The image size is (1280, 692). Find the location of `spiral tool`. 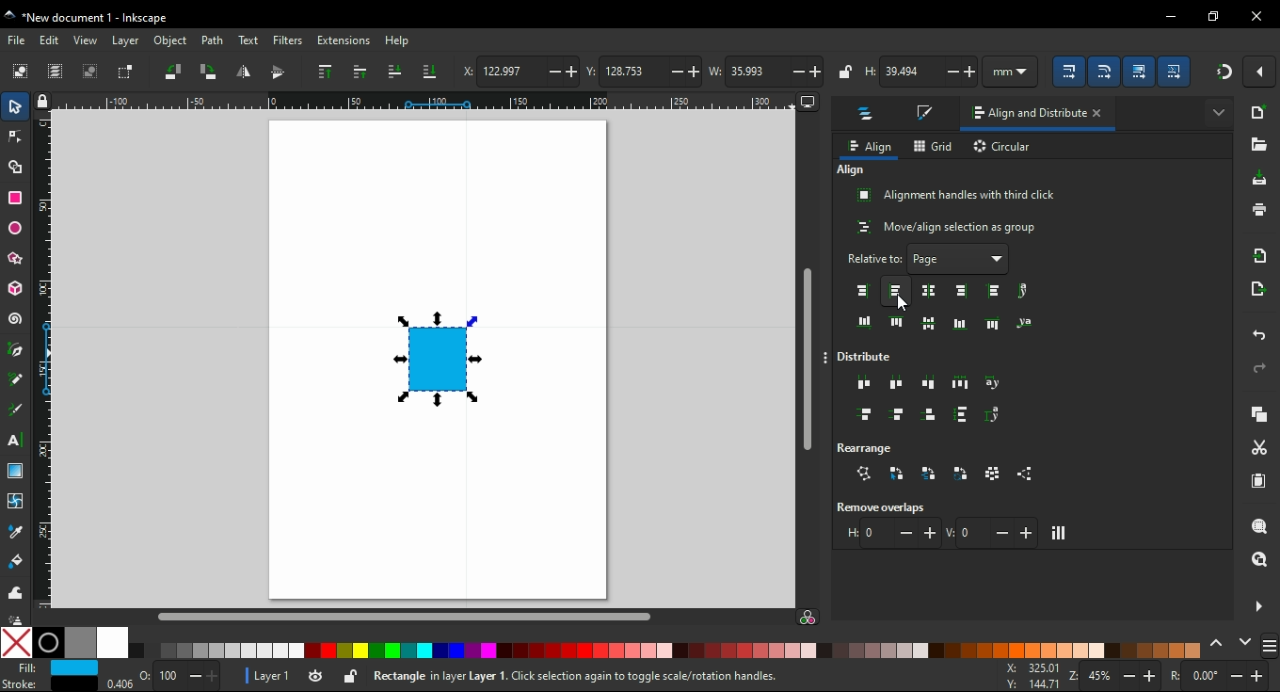

spiral tool is located at coordinates (18, 321).